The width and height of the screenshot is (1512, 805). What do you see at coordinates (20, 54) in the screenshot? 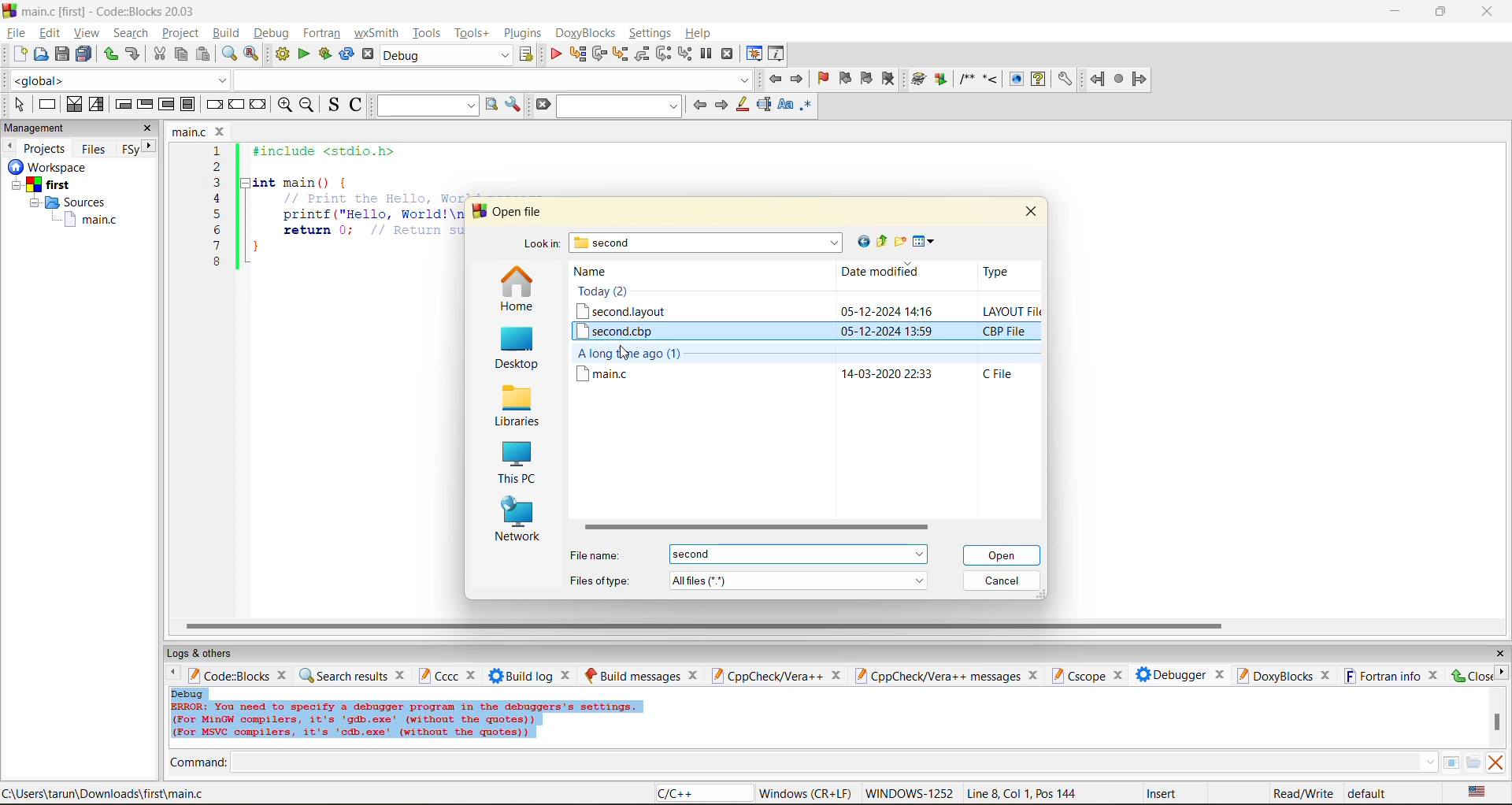
I see `new` at bounding box center [20, 54].